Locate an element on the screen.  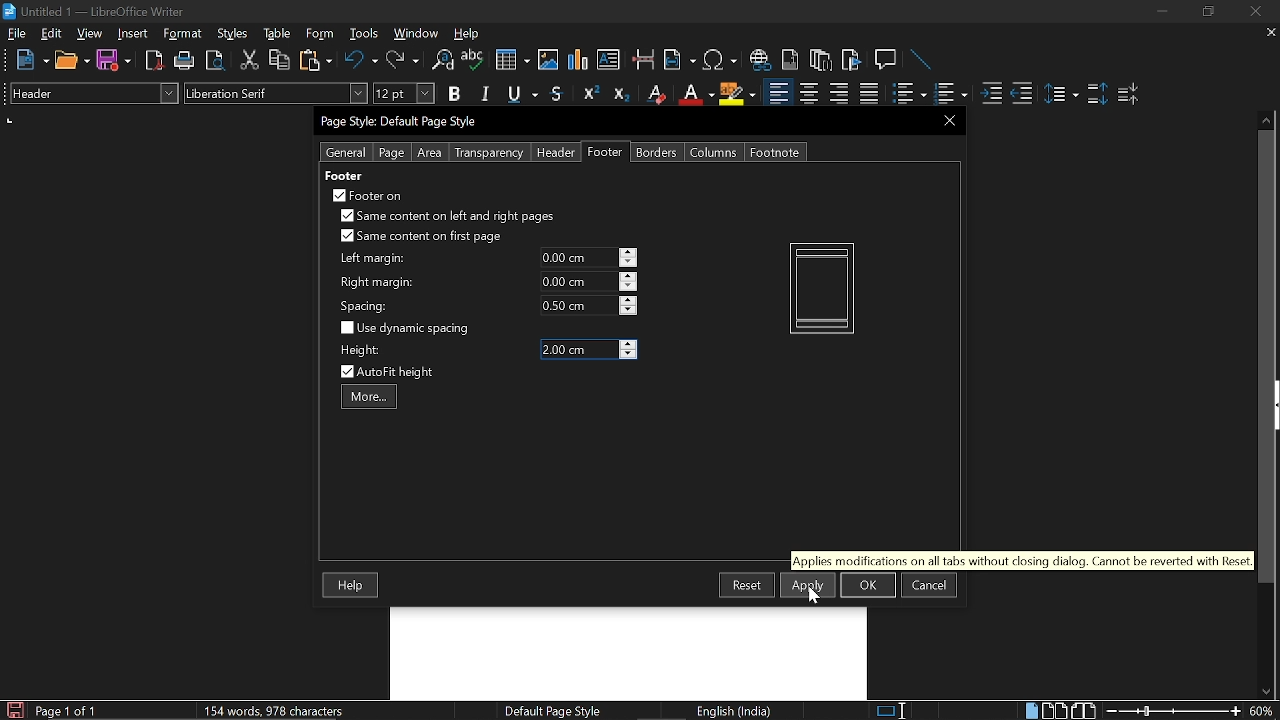
Redo is located at coordinates (402, 60).